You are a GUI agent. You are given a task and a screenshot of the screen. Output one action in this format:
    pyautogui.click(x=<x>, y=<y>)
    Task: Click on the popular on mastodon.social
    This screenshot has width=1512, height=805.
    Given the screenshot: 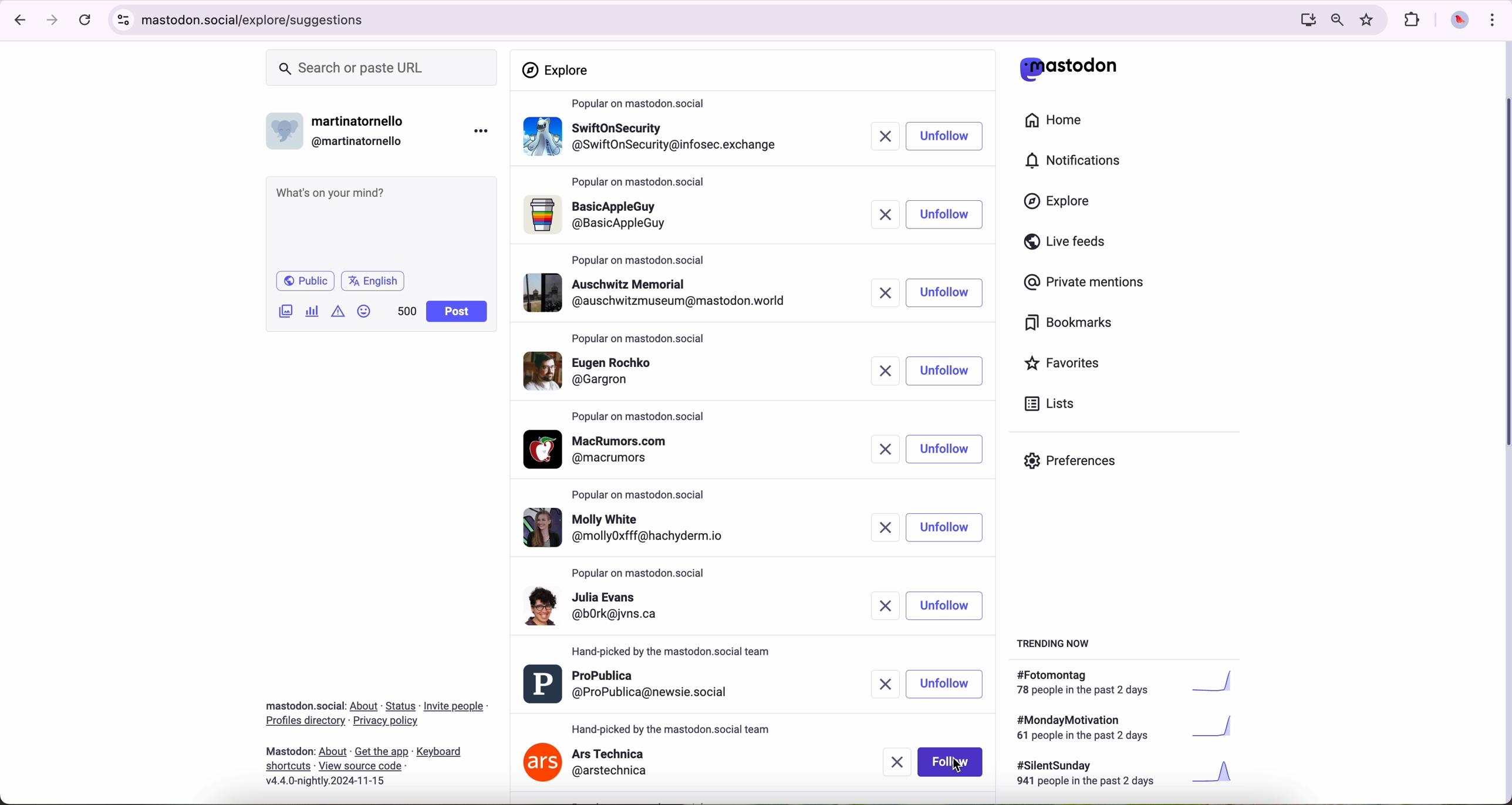 What is the action you would take?
    pyautogui.click(x=640, y=258)
    